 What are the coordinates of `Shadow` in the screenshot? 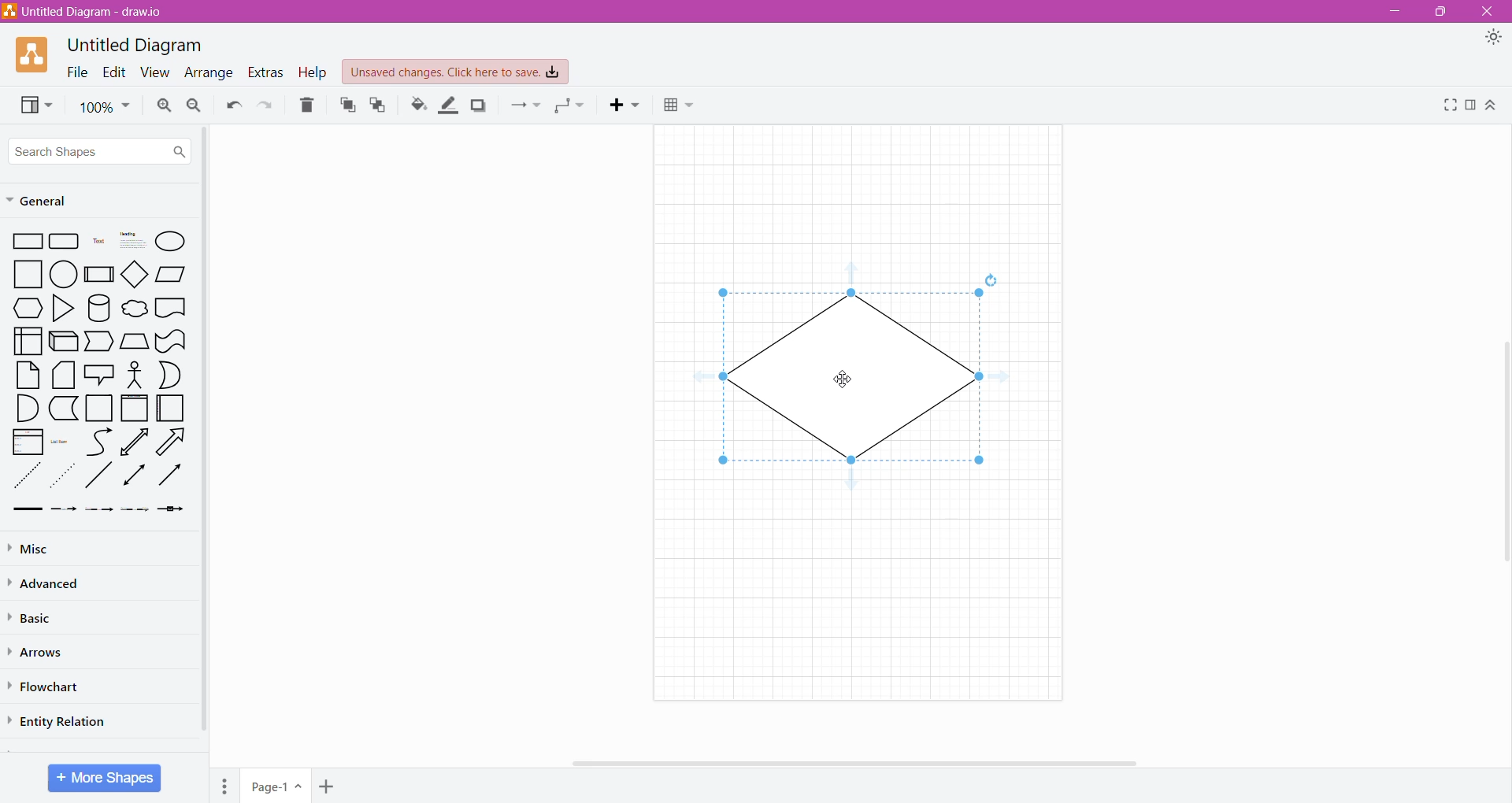 It's located at (480, 105).